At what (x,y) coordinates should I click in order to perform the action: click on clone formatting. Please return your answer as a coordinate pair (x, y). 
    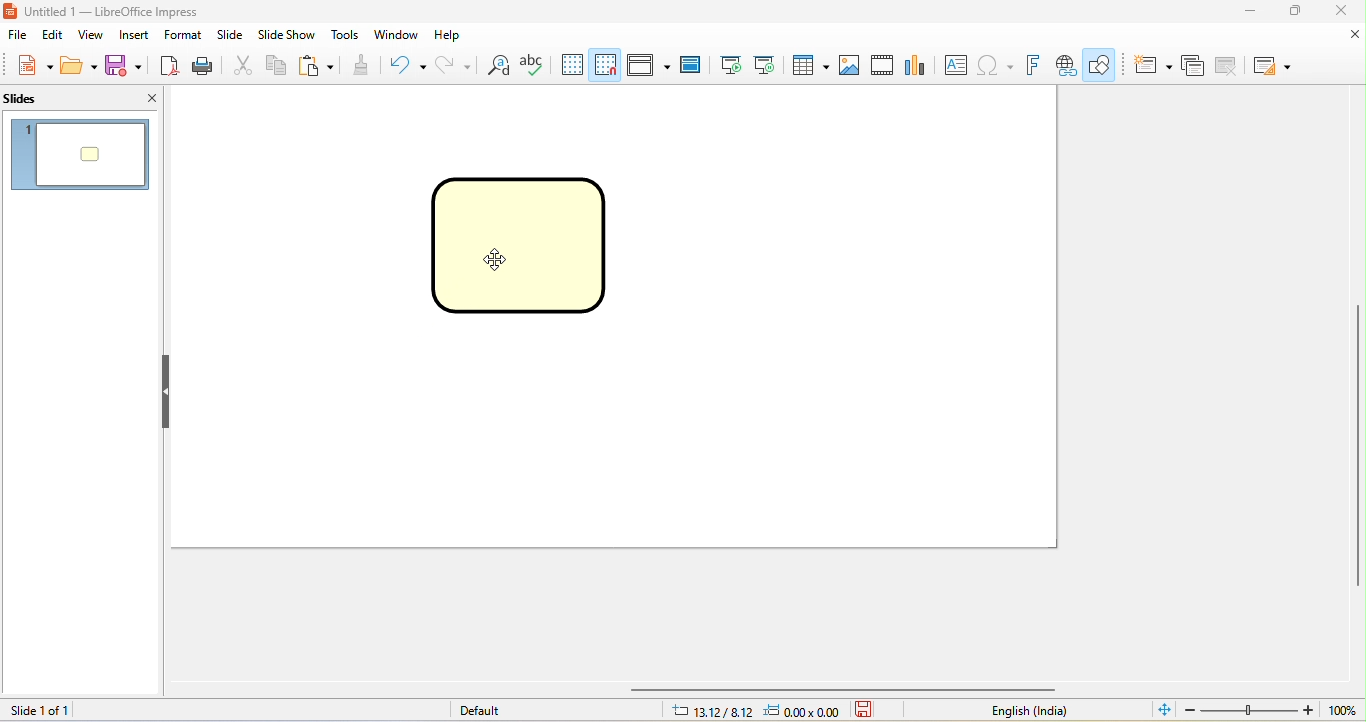
    Looking at the image, I should click on (362, 64).